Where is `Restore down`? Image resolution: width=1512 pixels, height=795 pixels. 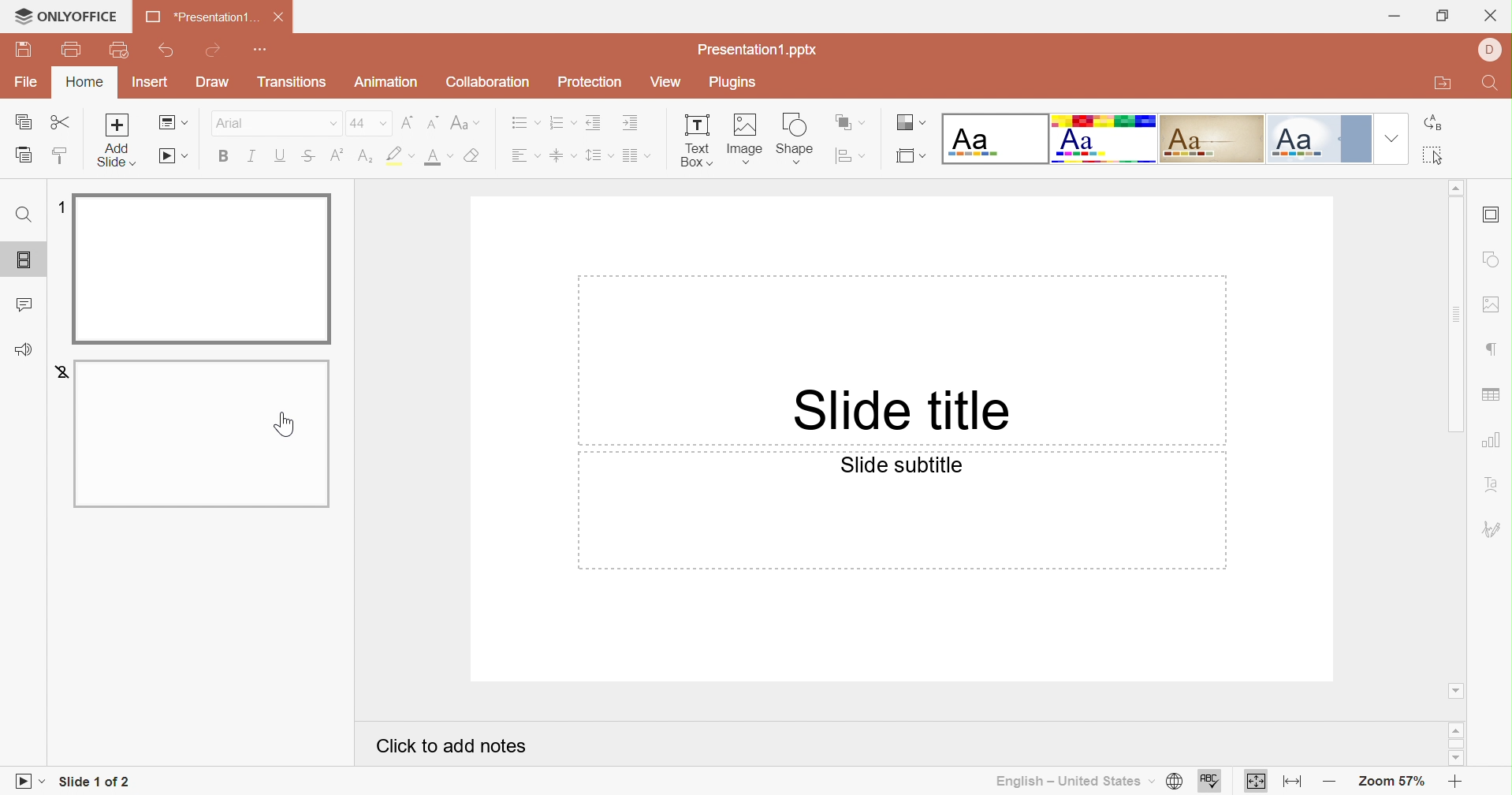 Restore down is located at coordinates (1441, 17).